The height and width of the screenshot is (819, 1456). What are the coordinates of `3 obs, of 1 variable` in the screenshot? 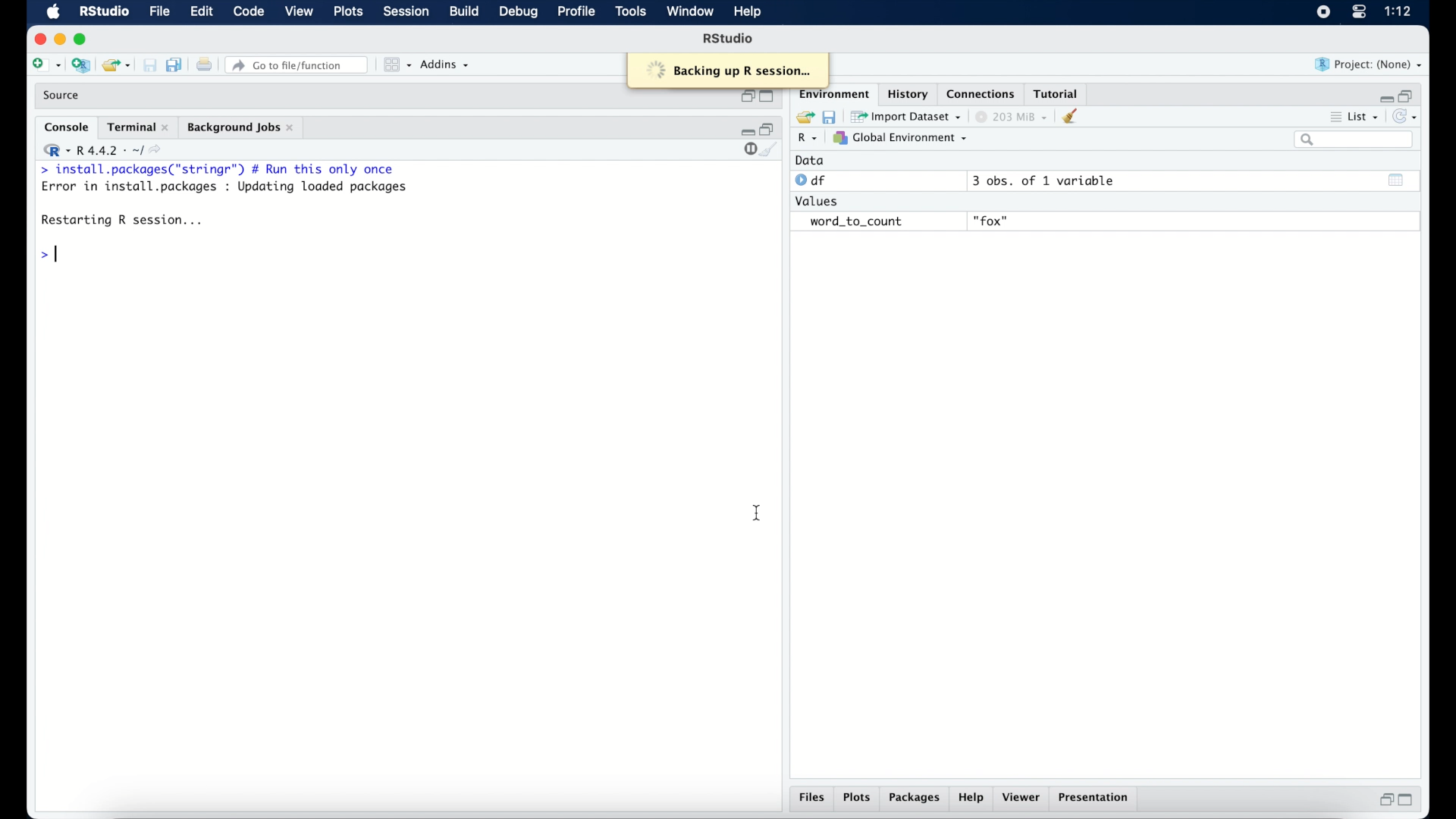 It's located at (1050, 180).